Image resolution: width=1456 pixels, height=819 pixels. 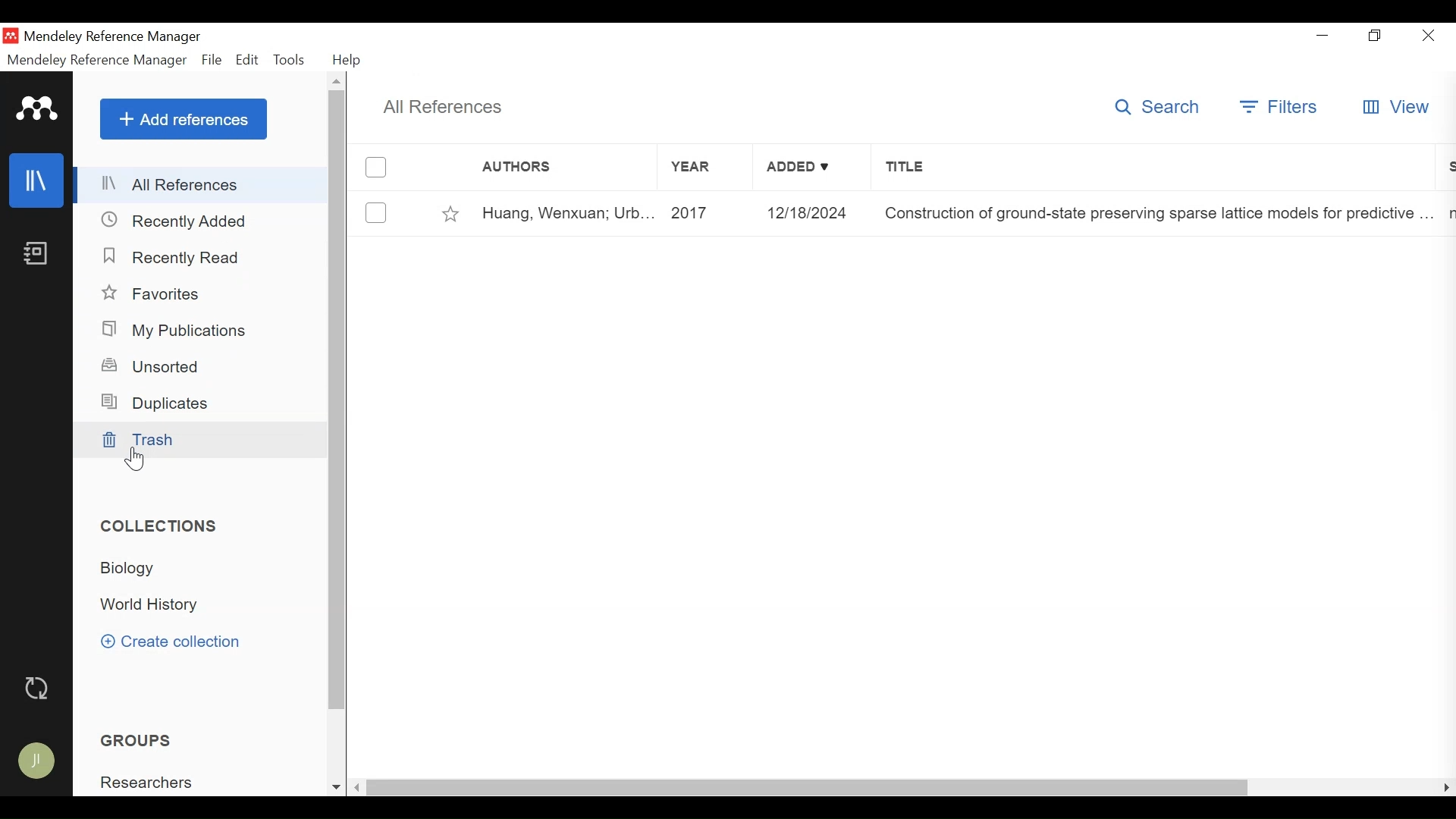 I want to click on Avatar, so click(x=42, y=761).